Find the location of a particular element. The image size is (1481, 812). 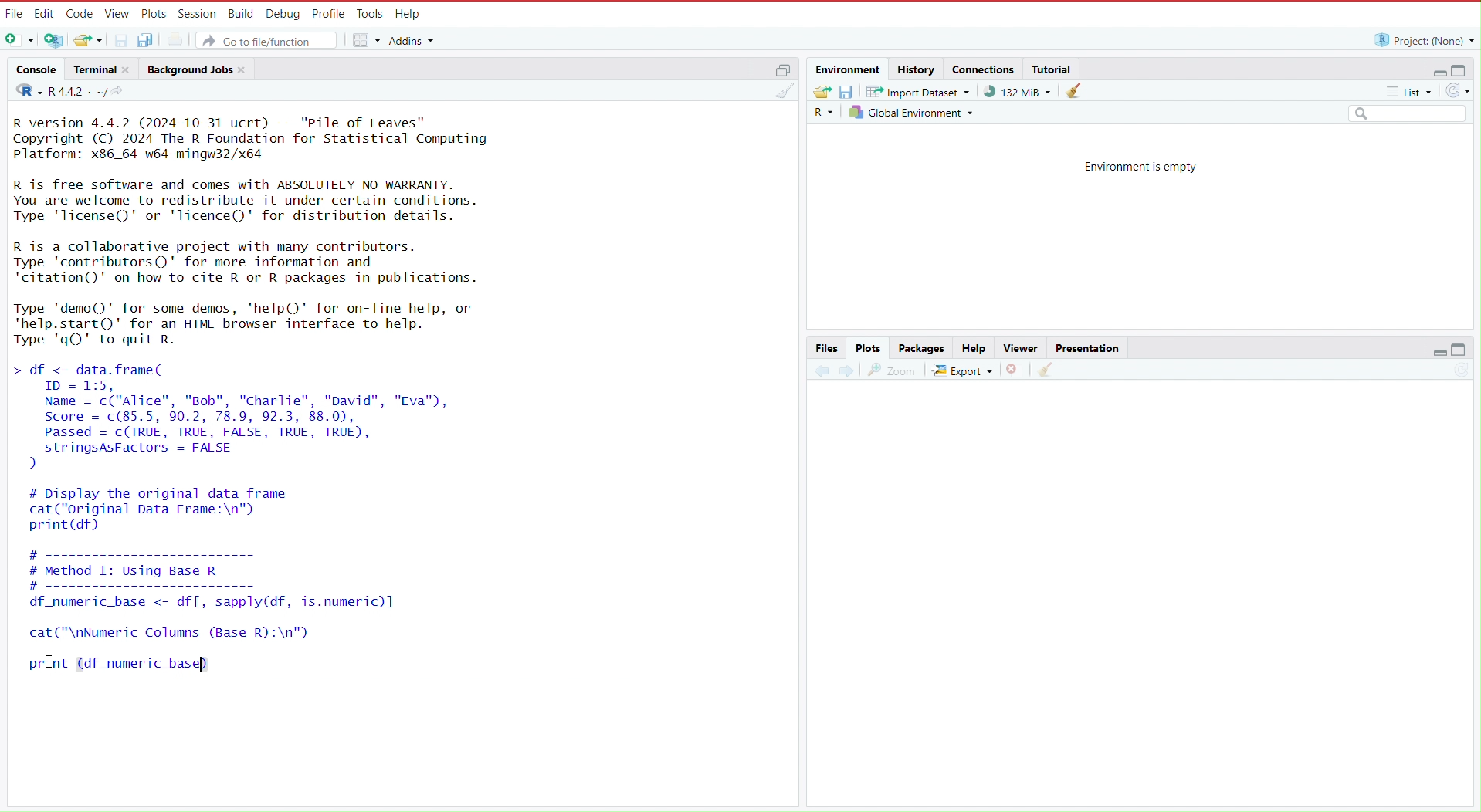

workspace panes is located at coordinates (366, 40).